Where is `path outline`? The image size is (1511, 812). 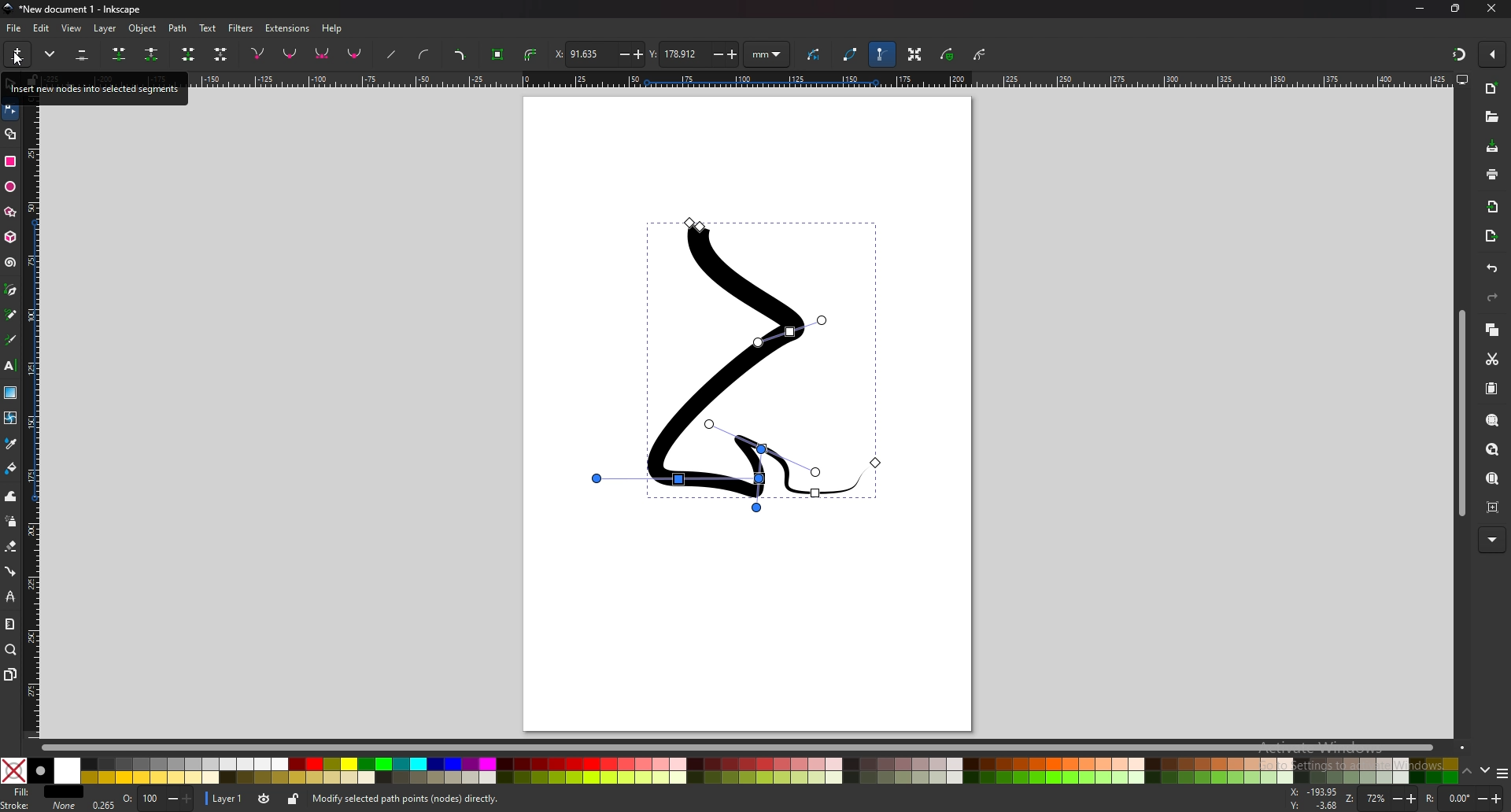
path outline is located at coordinates (852, 54).